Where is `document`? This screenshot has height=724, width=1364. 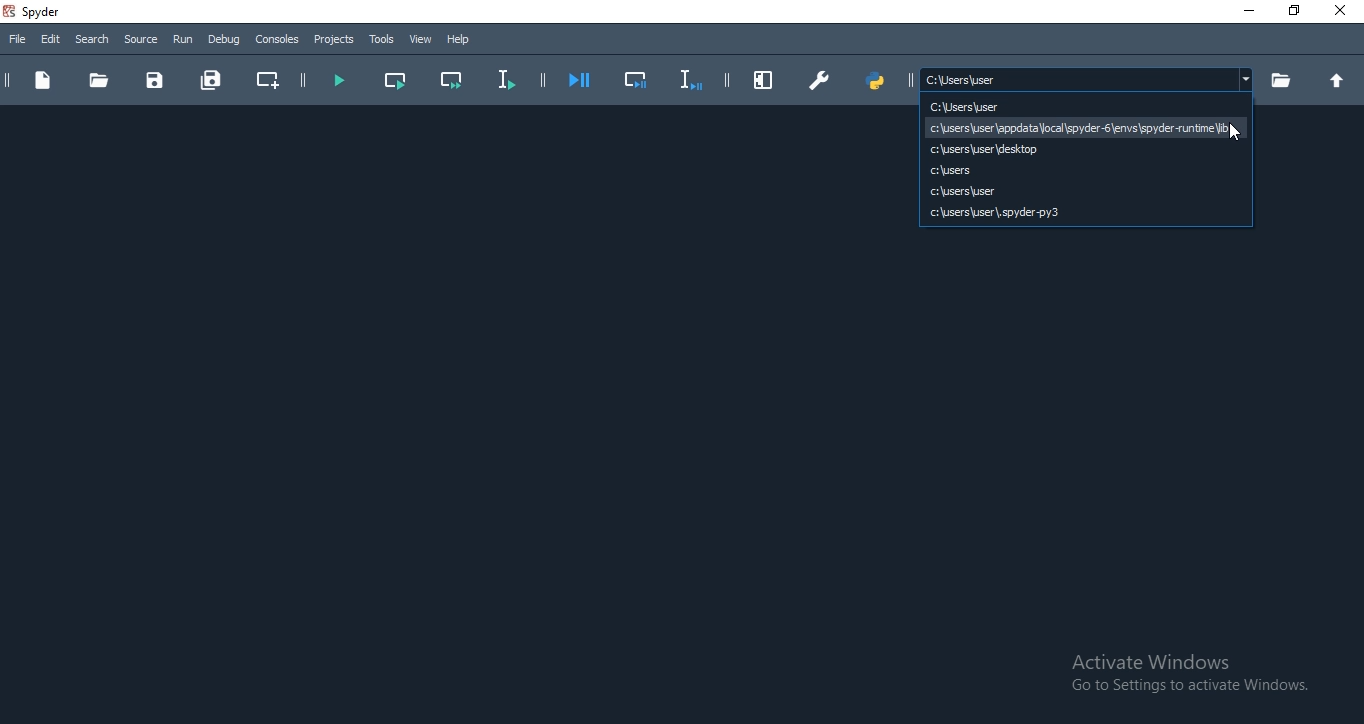 document is located at coordinates (42, 82).